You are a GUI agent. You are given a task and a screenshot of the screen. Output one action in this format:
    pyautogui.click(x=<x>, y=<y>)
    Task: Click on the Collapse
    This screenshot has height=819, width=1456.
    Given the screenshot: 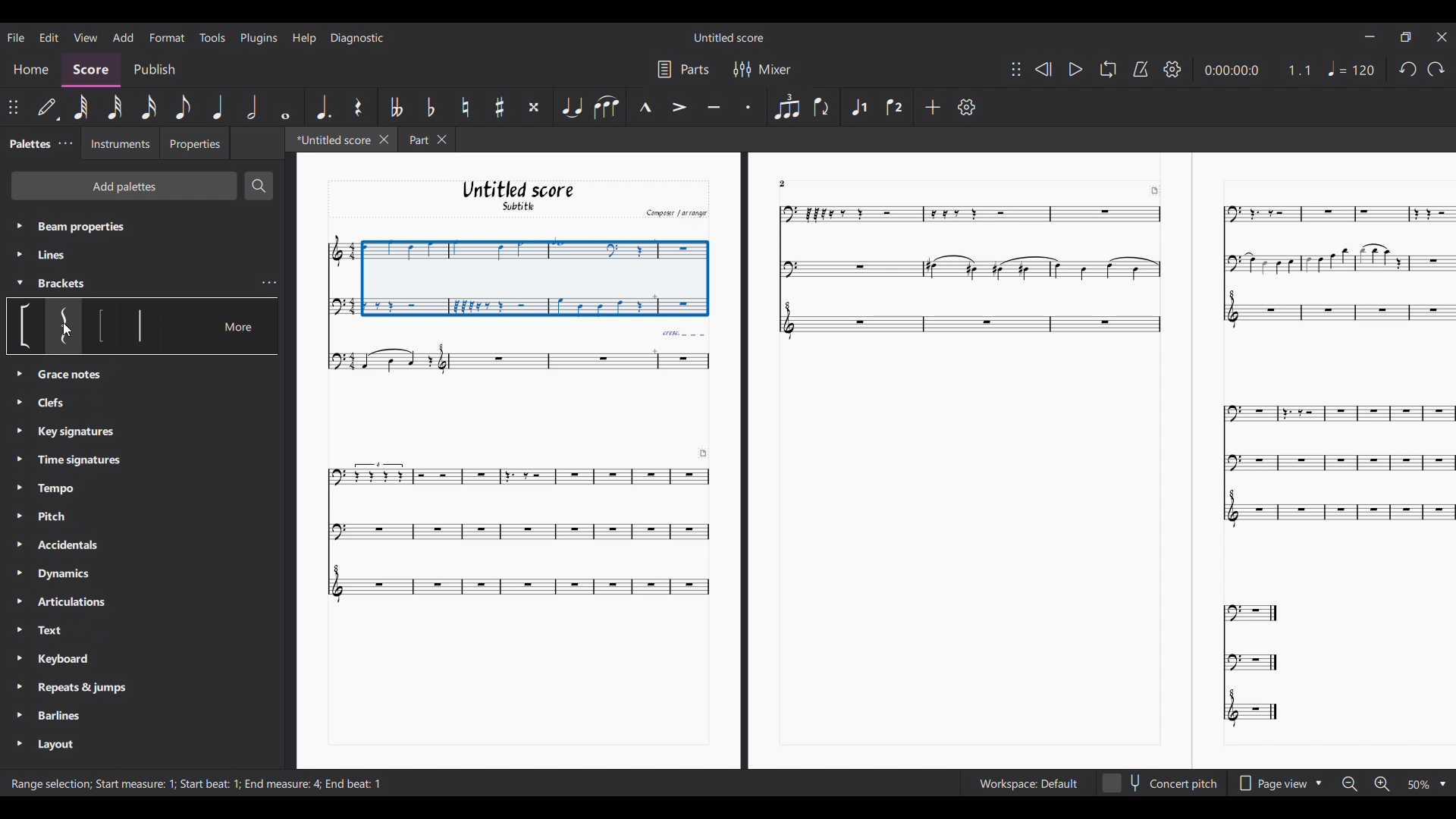 What is the action you would take?
    pyautogui.click(x=20, y=283)
    